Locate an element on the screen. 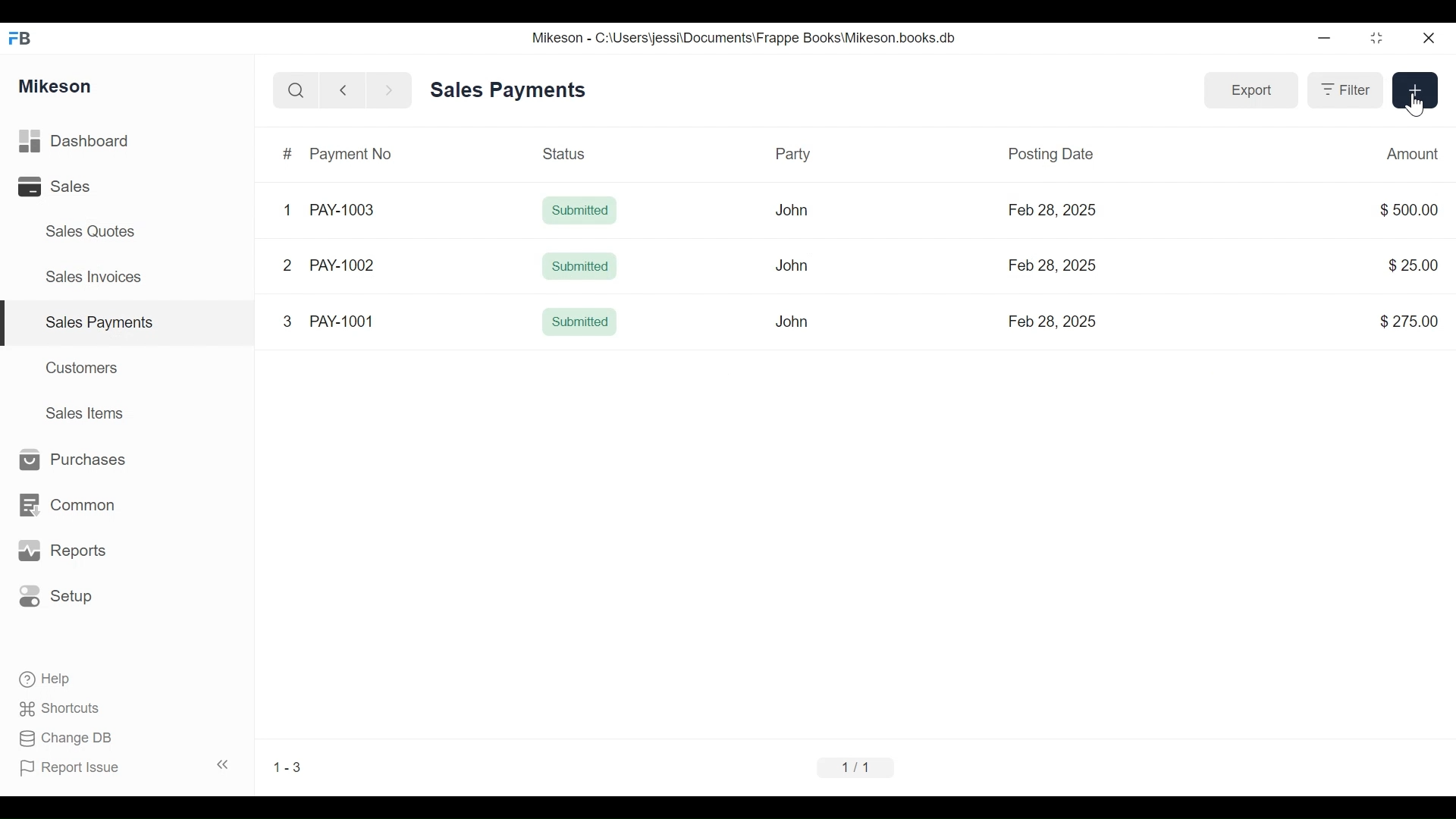  3 is located at coordinates (288, 322).